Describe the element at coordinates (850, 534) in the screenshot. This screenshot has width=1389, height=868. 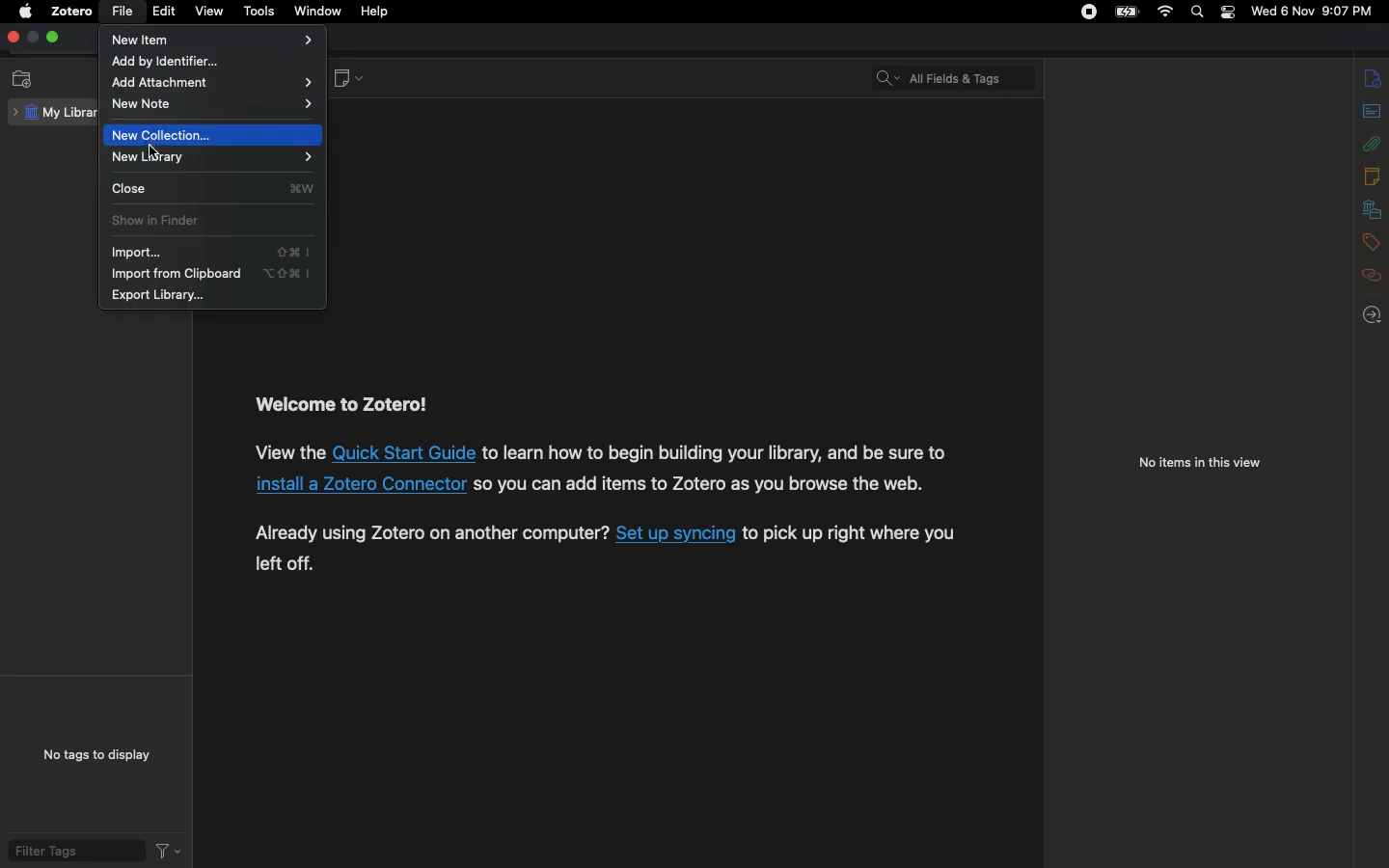
I see `to pick up right where you` at that location.